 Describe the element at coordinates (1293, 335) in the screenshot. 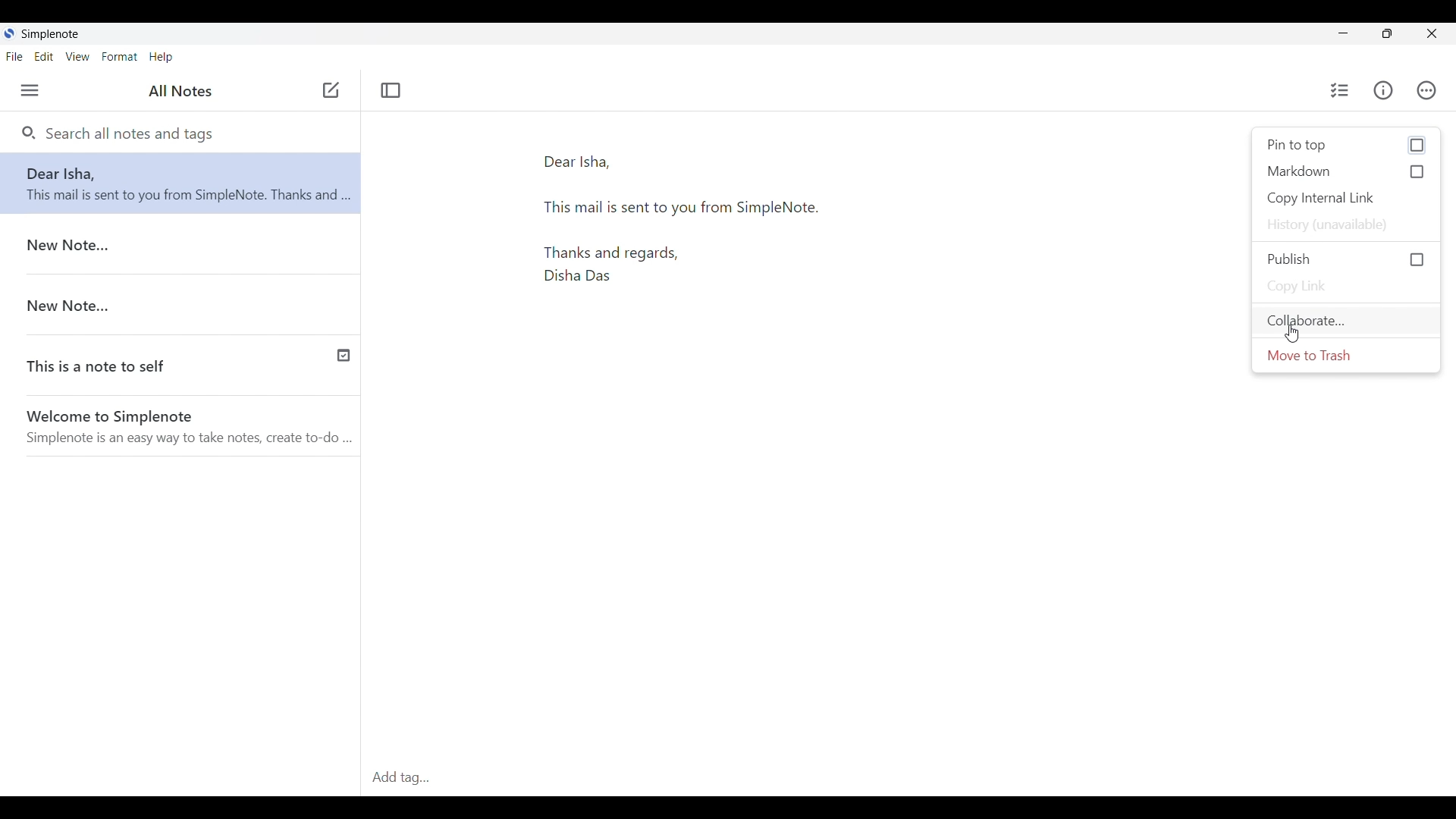

I see `Cursor clicking on Collaborate` at that location.